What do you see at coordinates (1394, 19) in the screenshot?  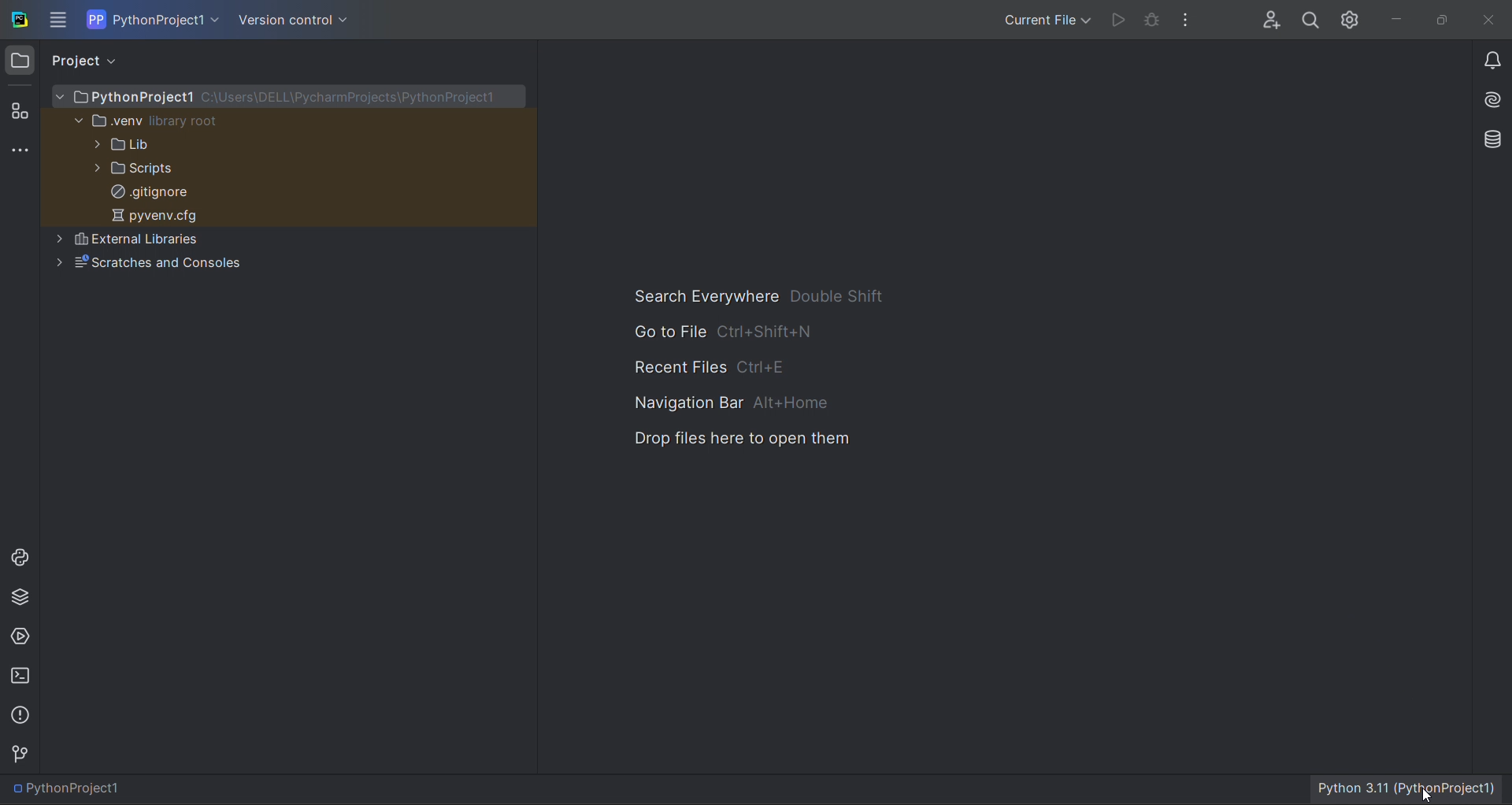 I see `minimize` at bounding box center [1394, 19].